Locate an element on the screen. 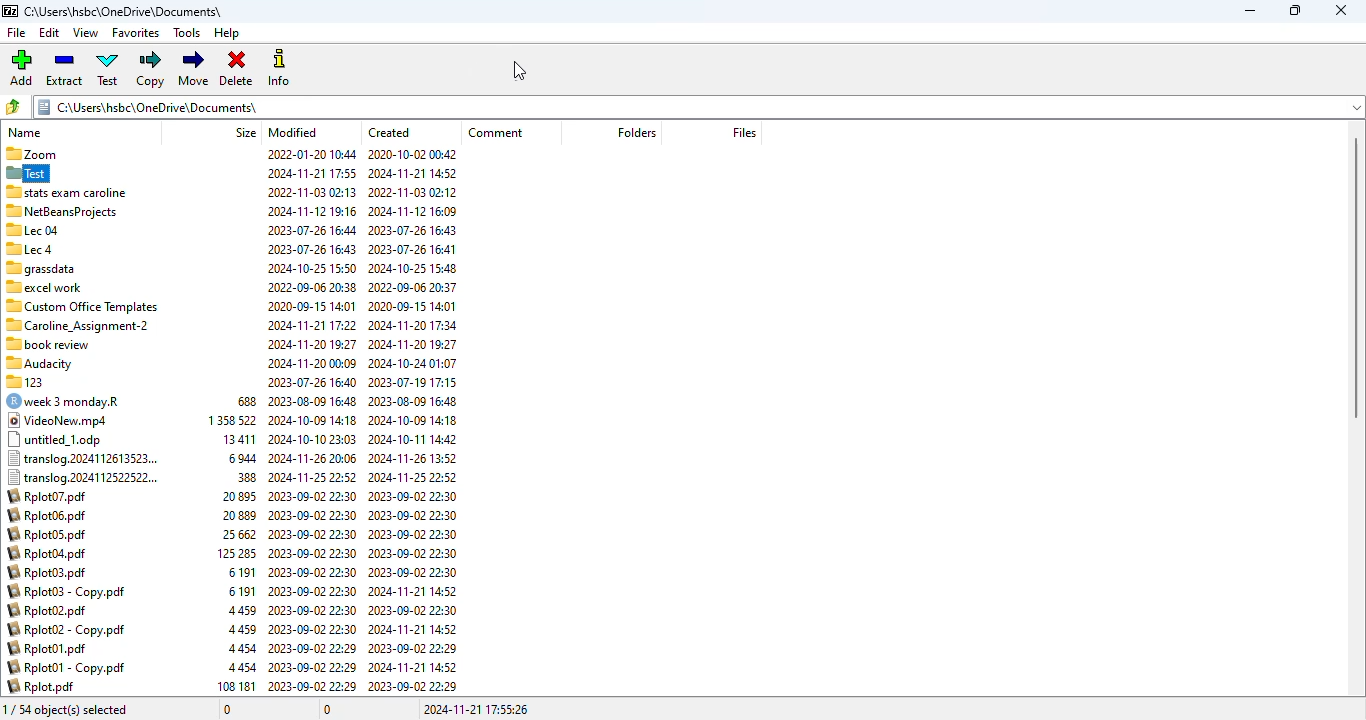  2023-08-09 16:48 is located at coordinates (416, 401).